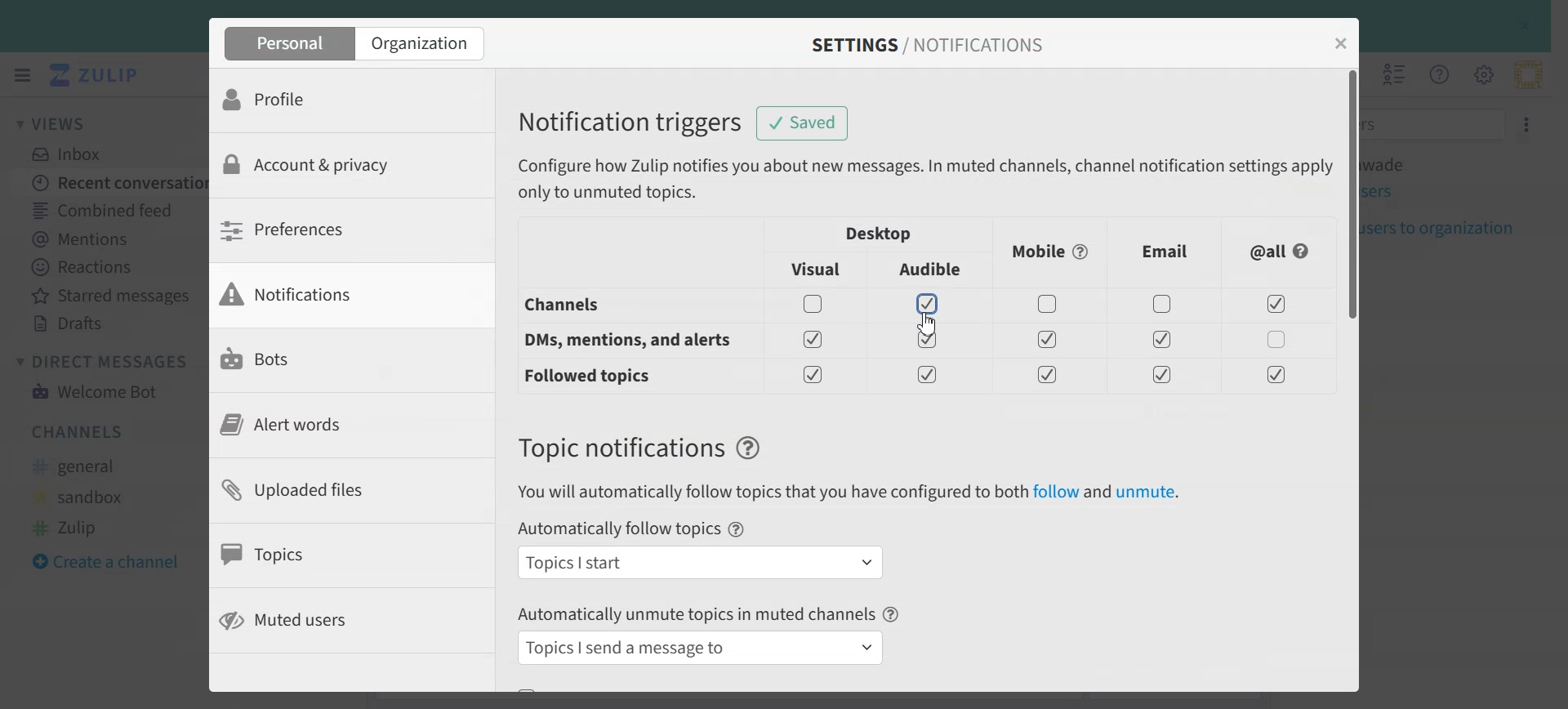 This screenshot has width=1568, height=709. What do you see at coordinates (880, 234) in the screenshot?
I see `Desktop` at bounding box center [880, 234].